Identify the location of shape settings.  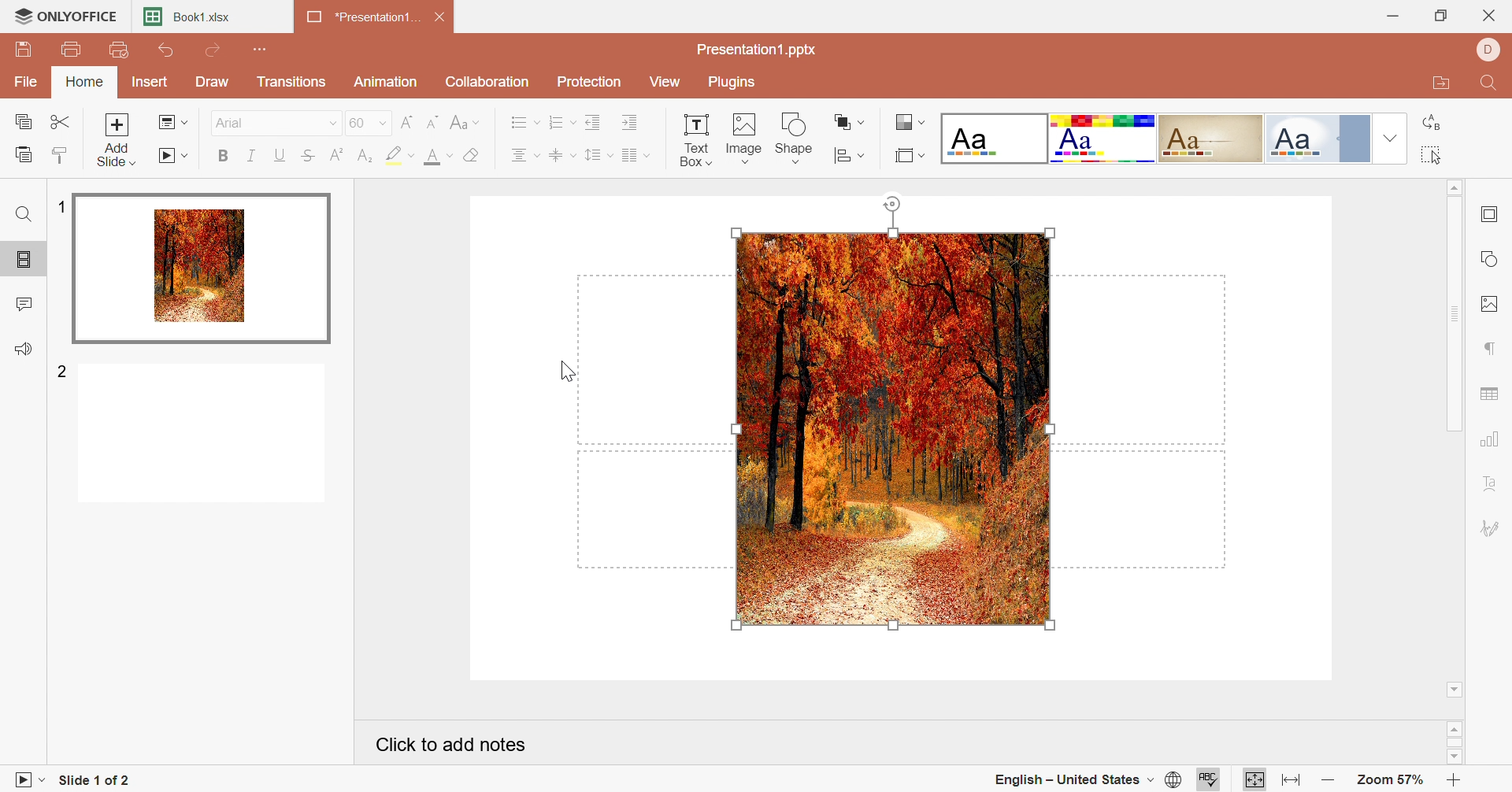
(1492, 255).